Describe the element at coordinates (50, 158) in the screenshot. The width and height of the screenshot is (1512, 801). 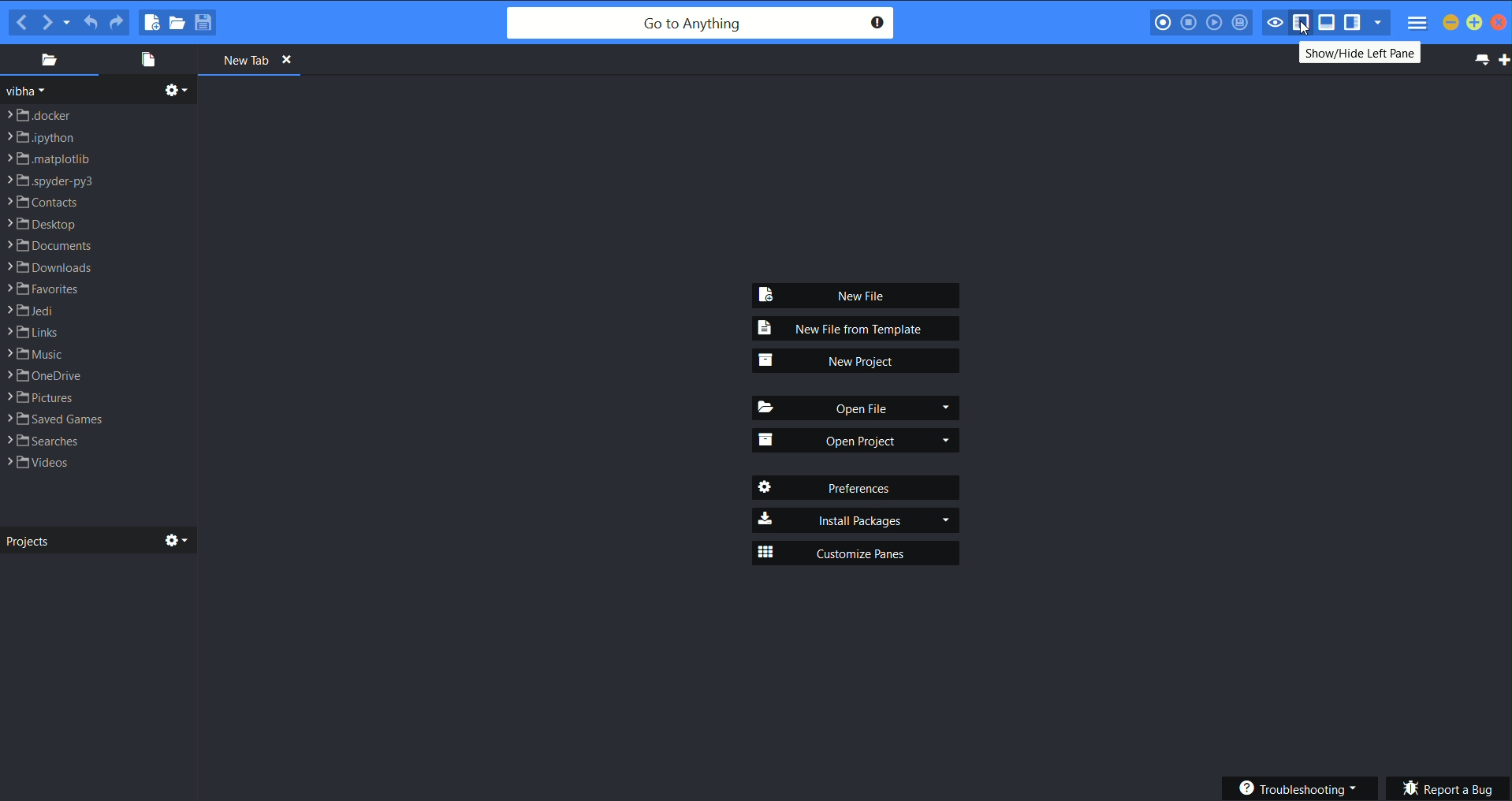
I see `.matplotlib` at that location.